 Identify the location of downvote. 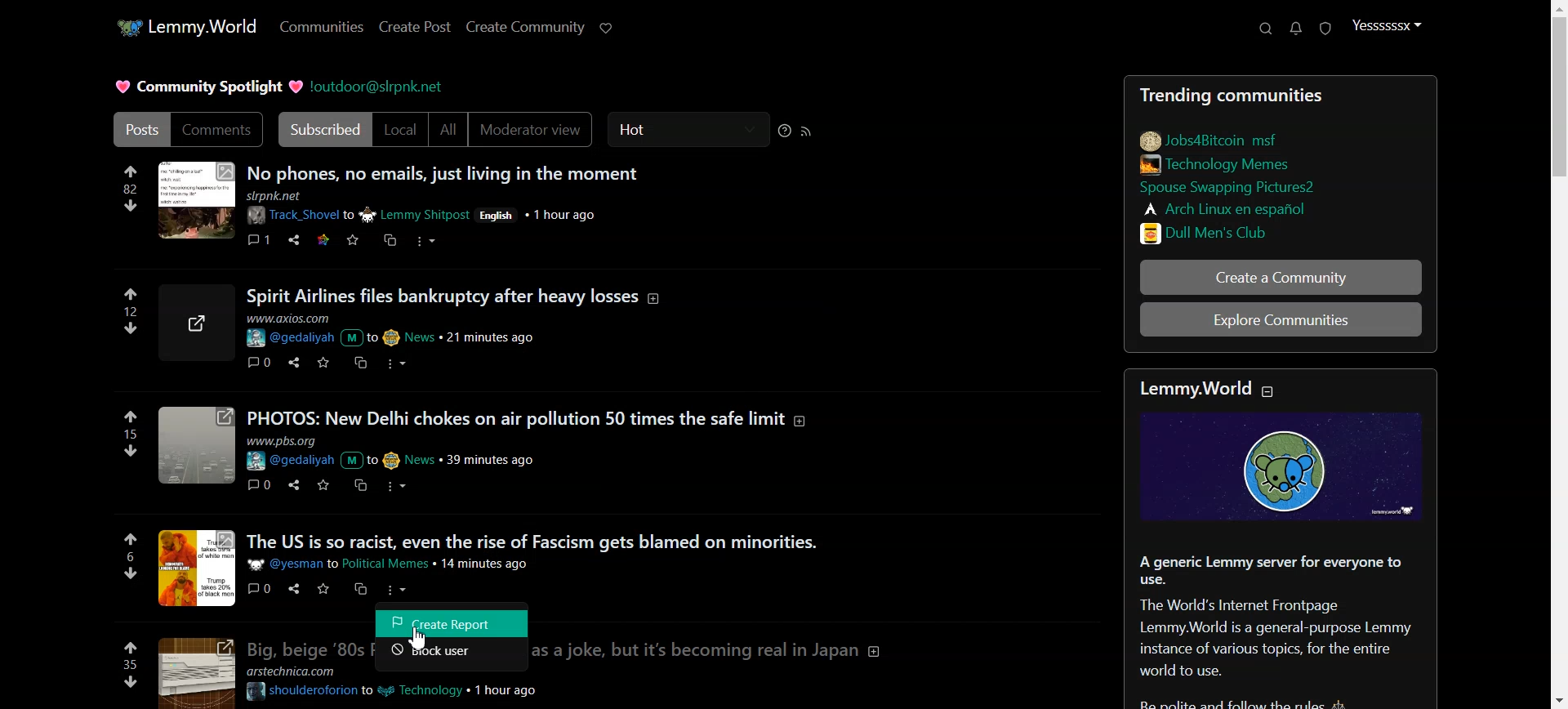
(127, 573).